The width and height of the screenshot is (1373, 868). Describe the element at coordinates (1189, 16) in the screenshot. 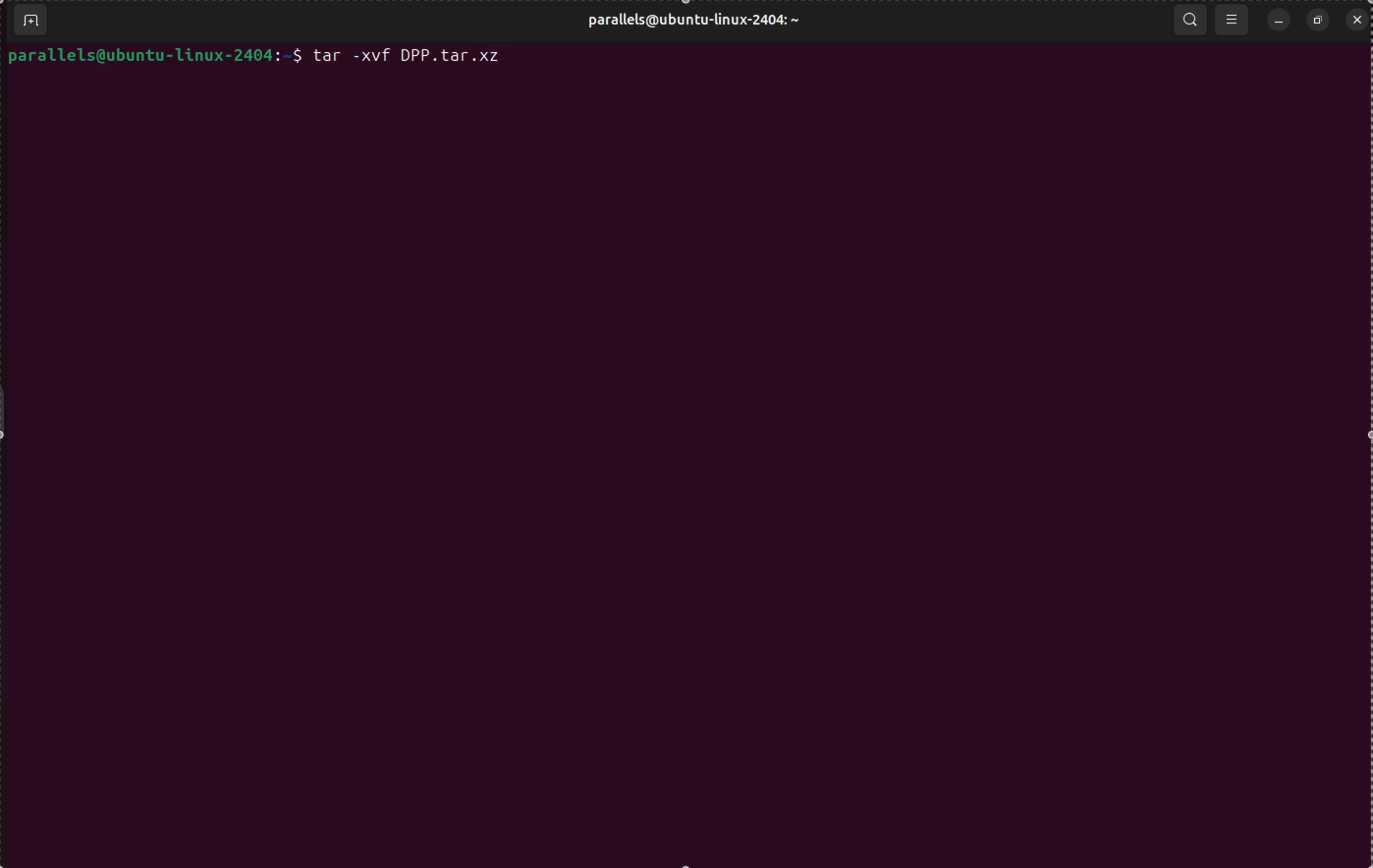

I see `search` at that location.